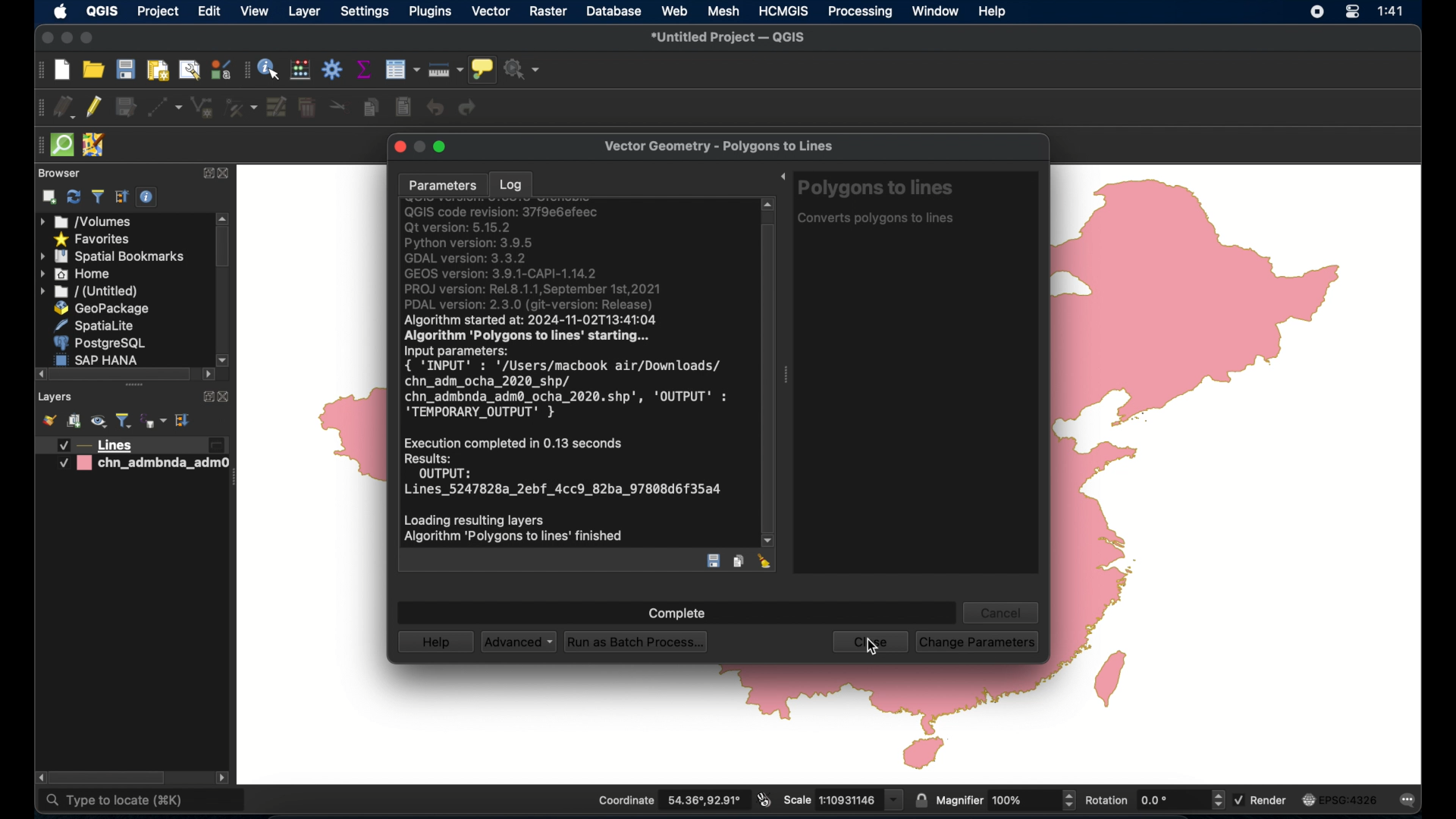  Describe the element at coordinates (729, 39) in the screenshot. I see `untitled project - QGIS` at that location.